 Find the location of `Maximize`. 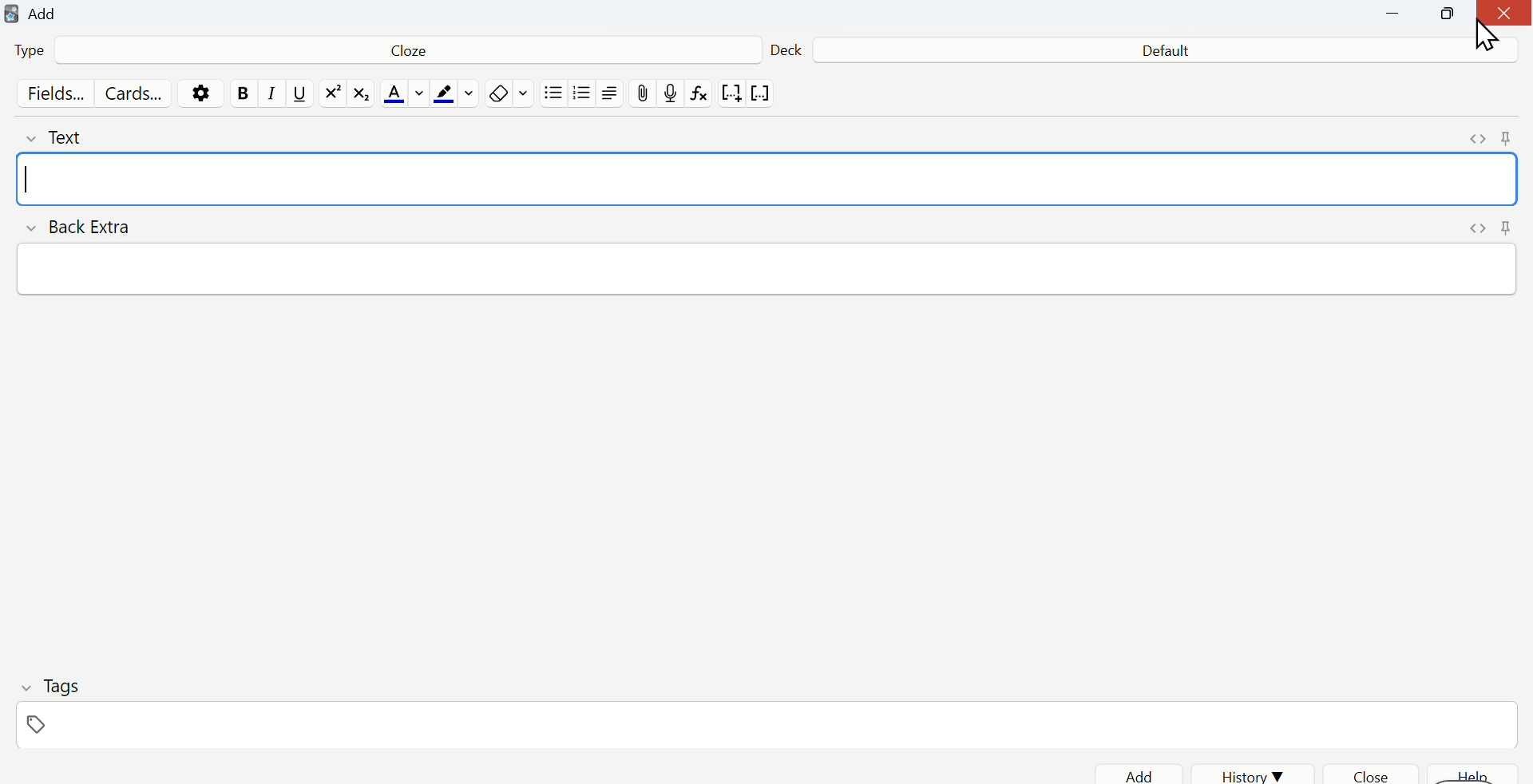

Maximize is located at coordinates (1449, 18).